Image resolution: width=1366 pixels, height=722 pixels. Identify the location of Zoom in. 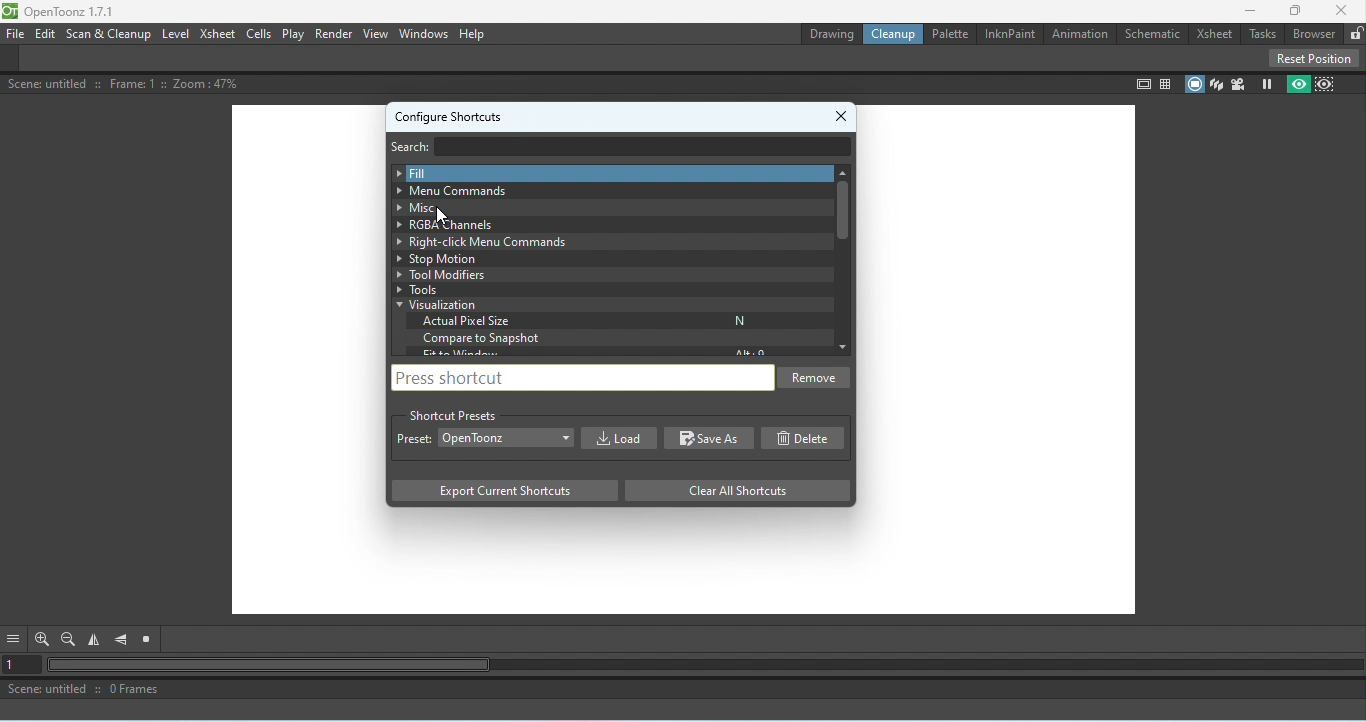
(40, 639).